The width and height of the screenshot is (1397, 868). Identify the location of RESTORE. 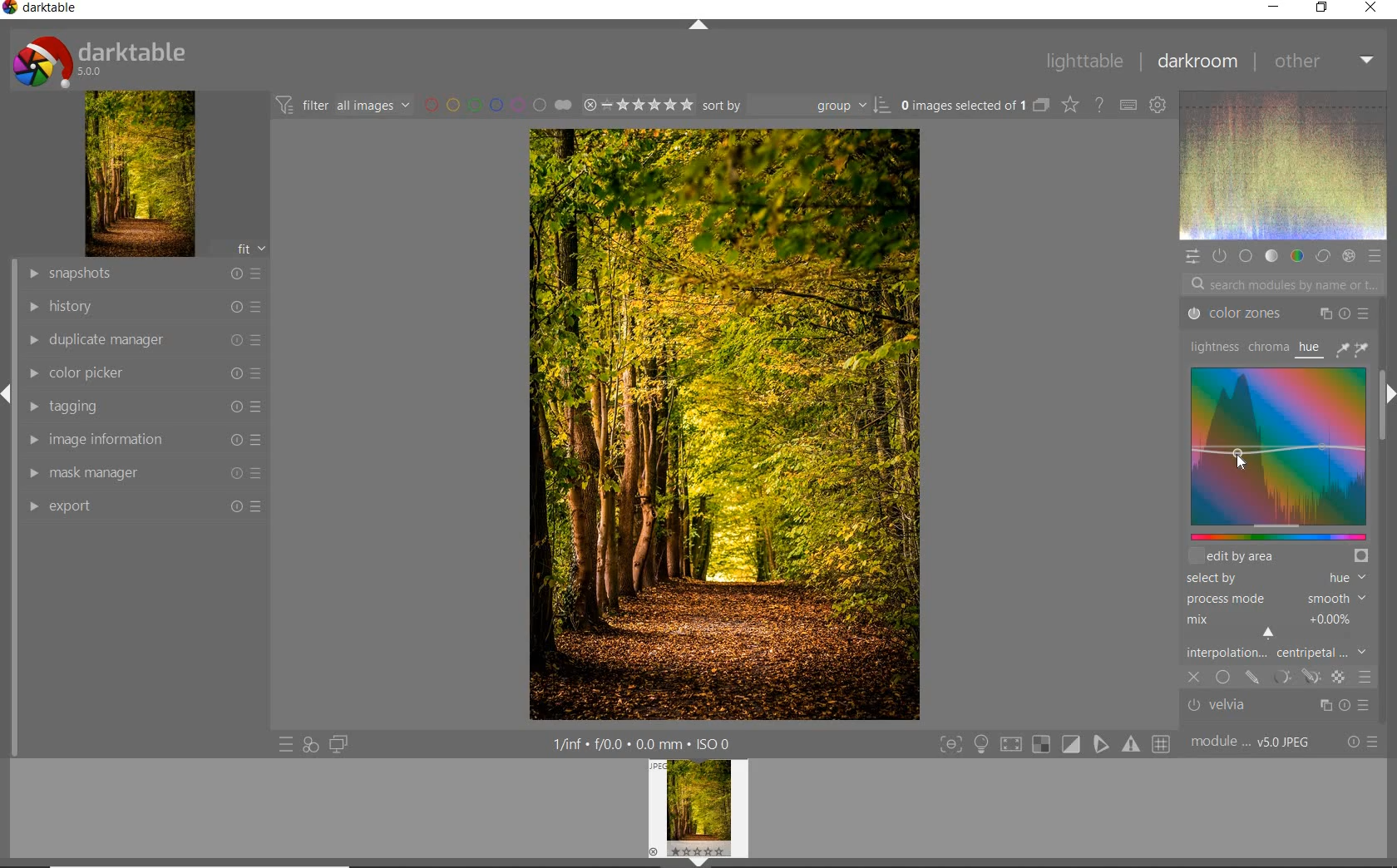
(1320, 8).